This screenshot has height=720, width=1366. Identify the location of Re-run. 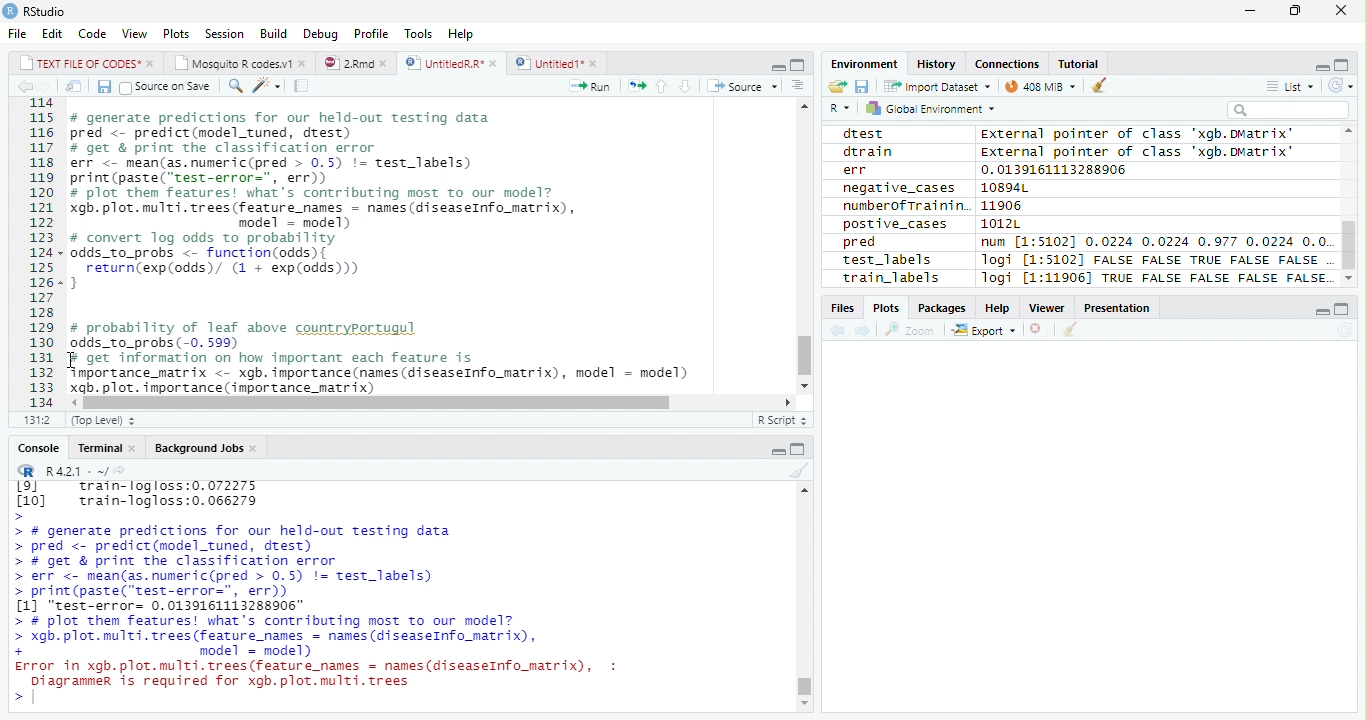
(633, 84).